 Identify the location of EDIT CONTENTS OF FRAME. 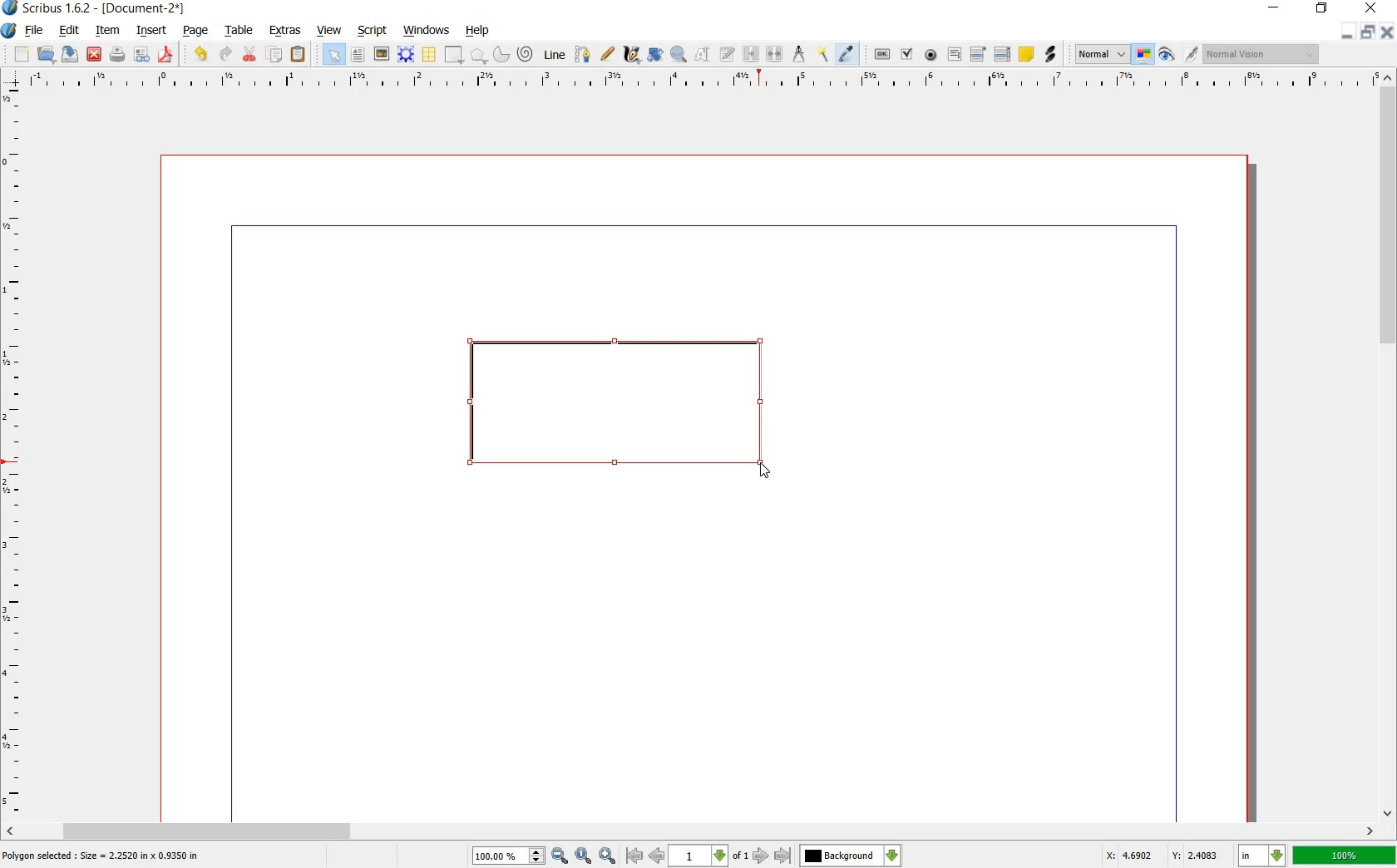
(703, 55).